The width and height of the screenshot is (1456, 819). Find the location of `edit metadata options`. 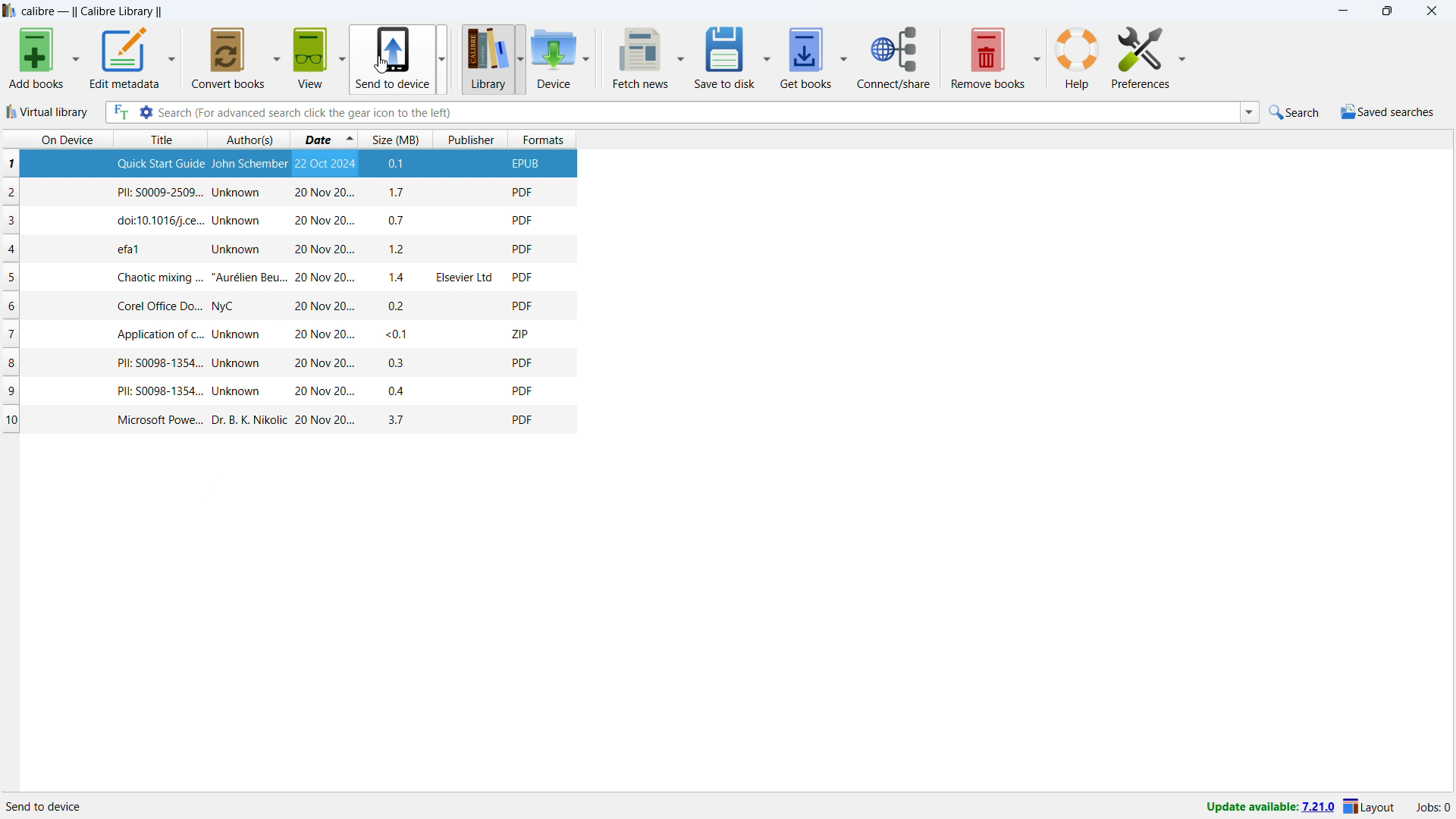

edit metadata options is located at coordinates (126, 58).